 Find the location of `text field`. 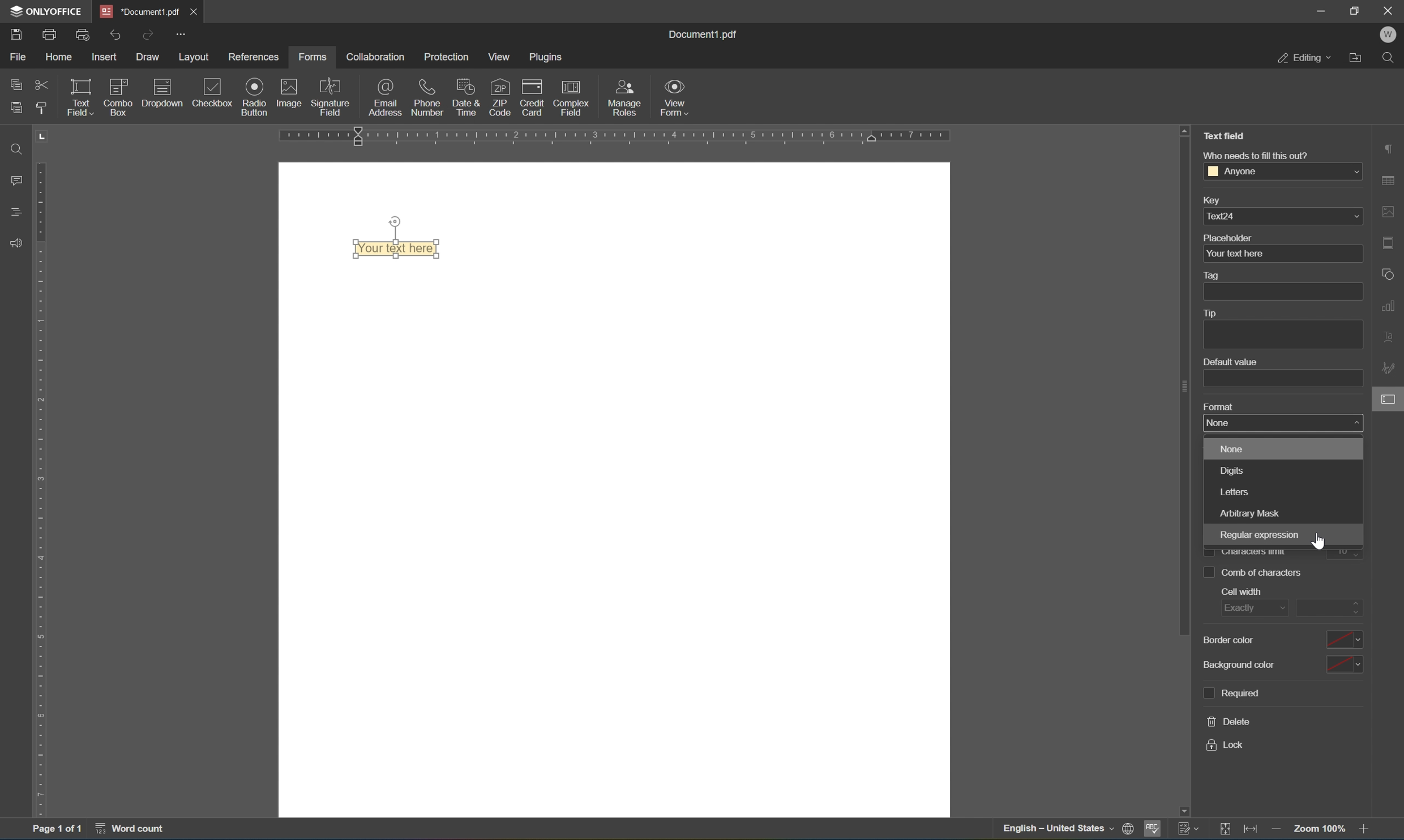

text field is located at coordinates (79, 96).